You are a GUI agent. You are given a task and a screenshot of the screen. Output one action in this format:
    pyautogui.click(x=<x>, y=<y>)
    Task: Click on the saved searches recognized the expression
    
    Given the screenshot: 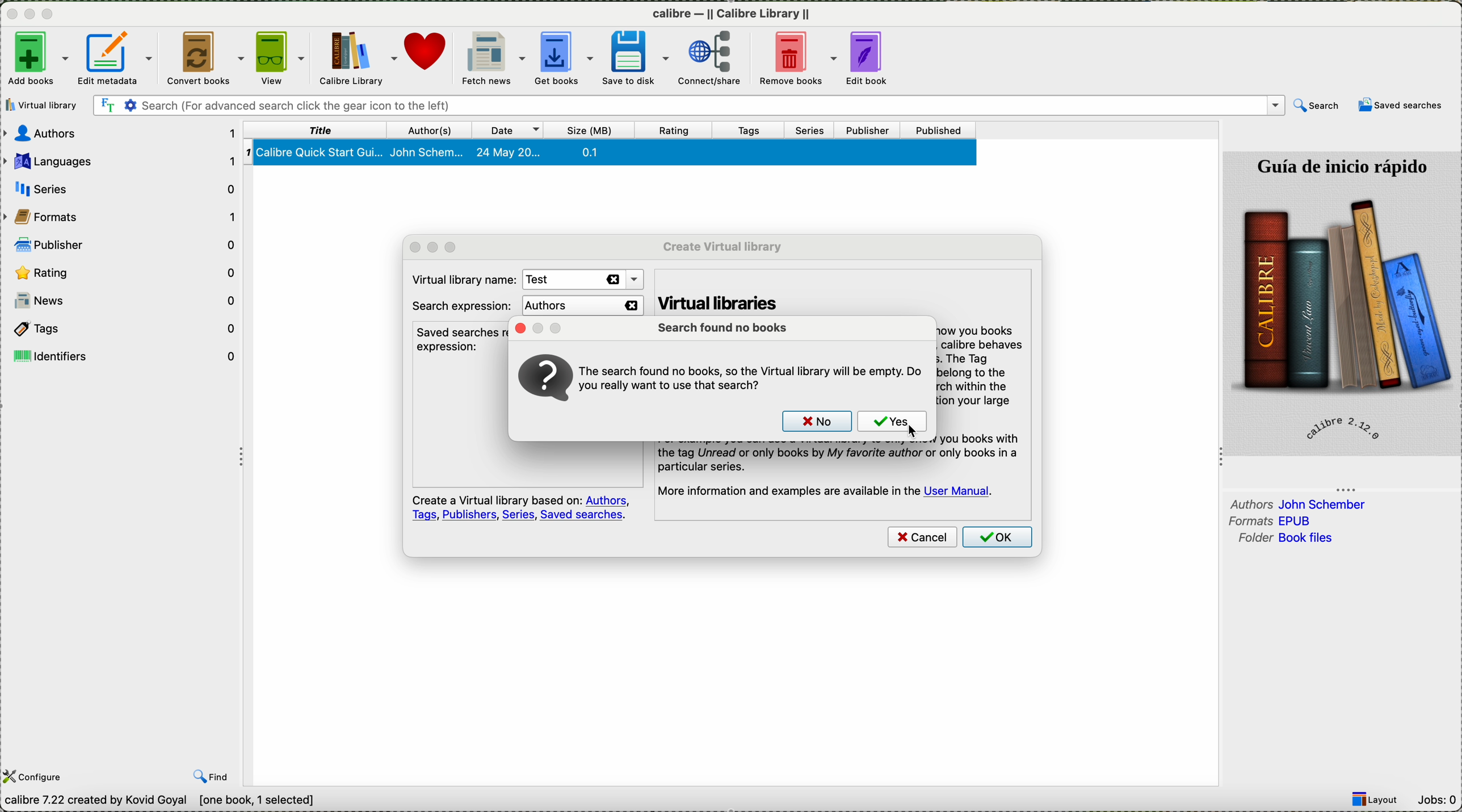 What is the action you would take?
    pyautogui.click(x=457, y=339)
    